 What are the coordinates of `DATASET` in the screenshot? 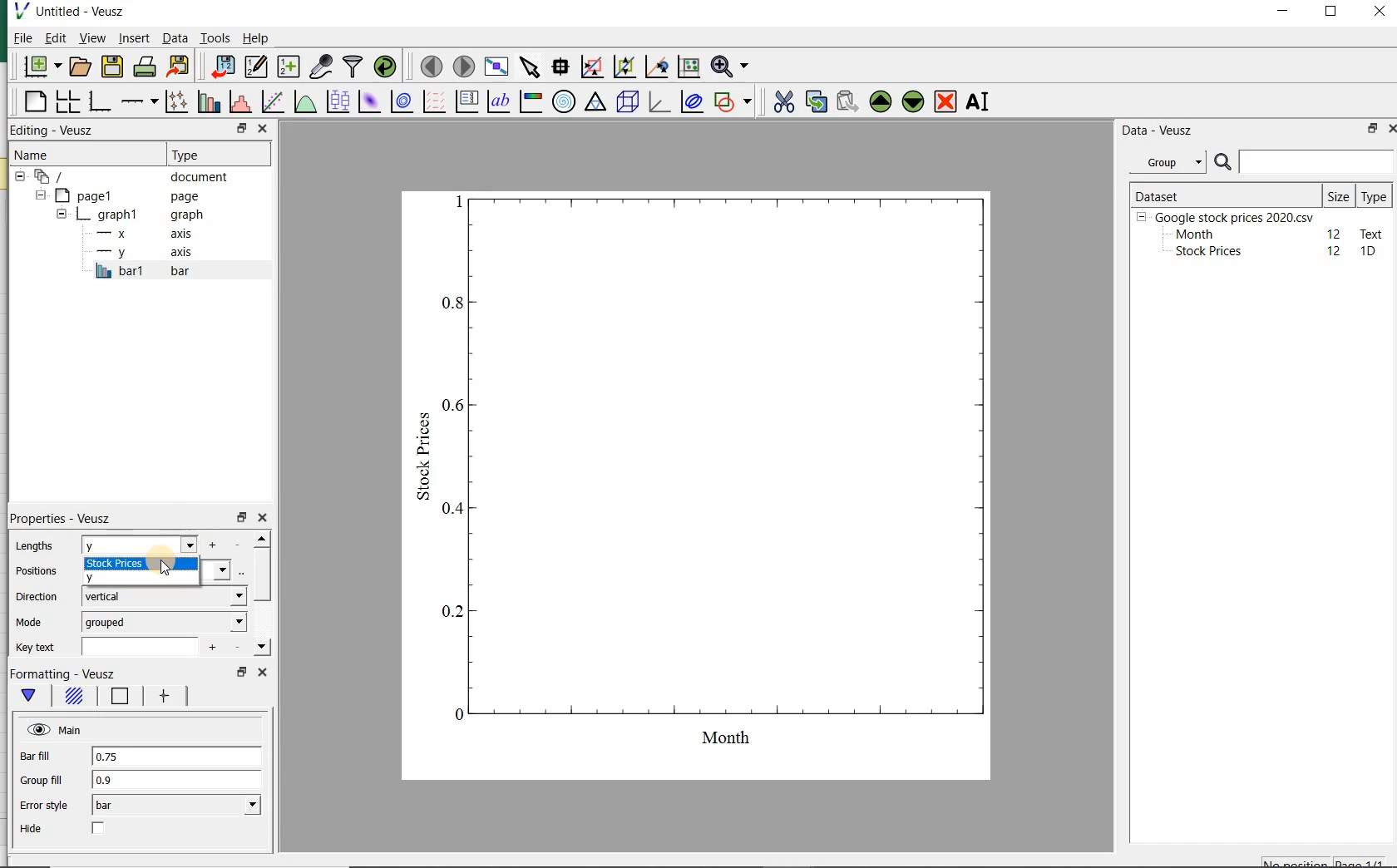 It's located at (1224, 193).